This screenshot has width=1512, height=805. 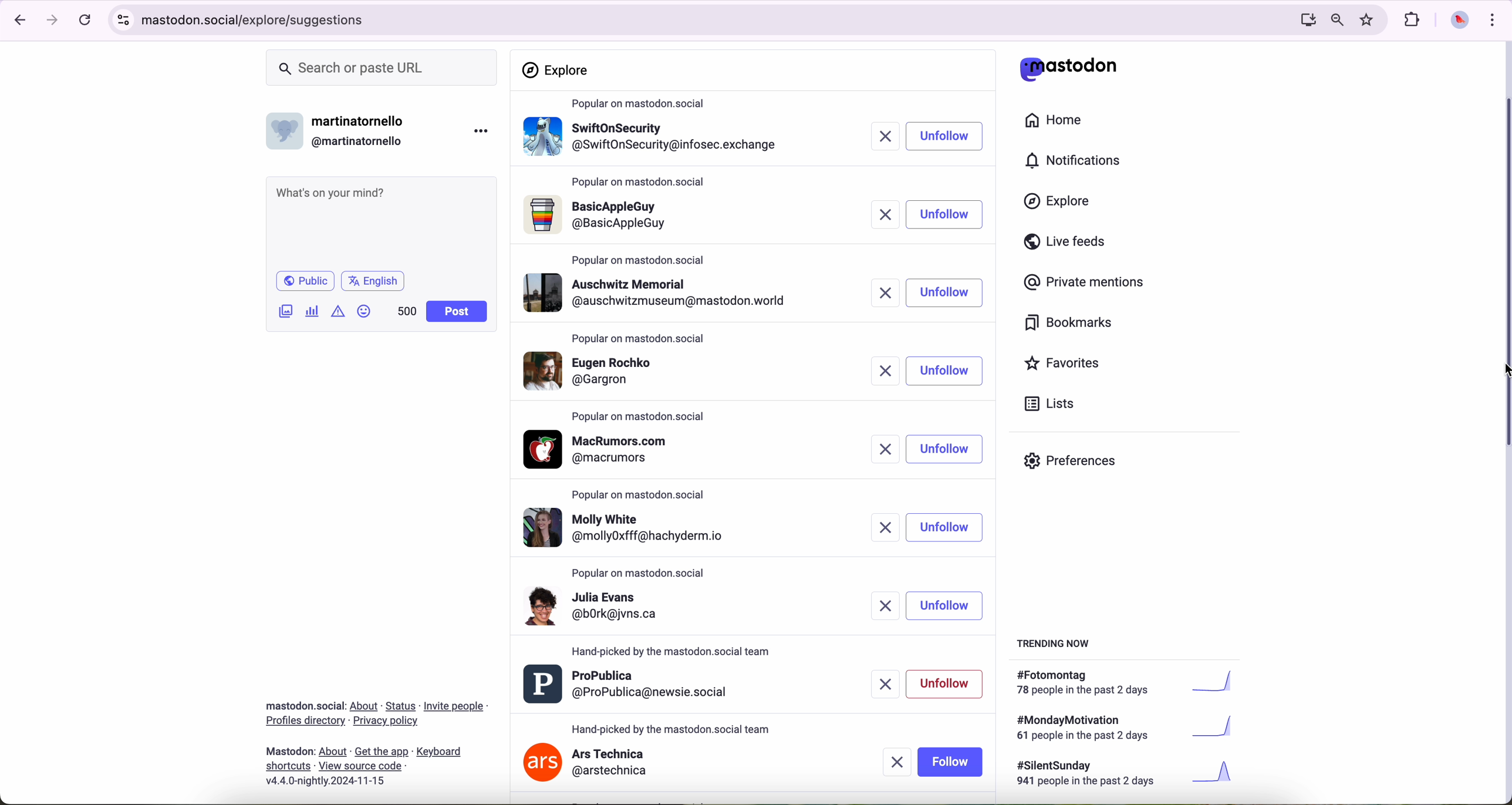 I want to click on unfollow, so click(x=945, y=449).